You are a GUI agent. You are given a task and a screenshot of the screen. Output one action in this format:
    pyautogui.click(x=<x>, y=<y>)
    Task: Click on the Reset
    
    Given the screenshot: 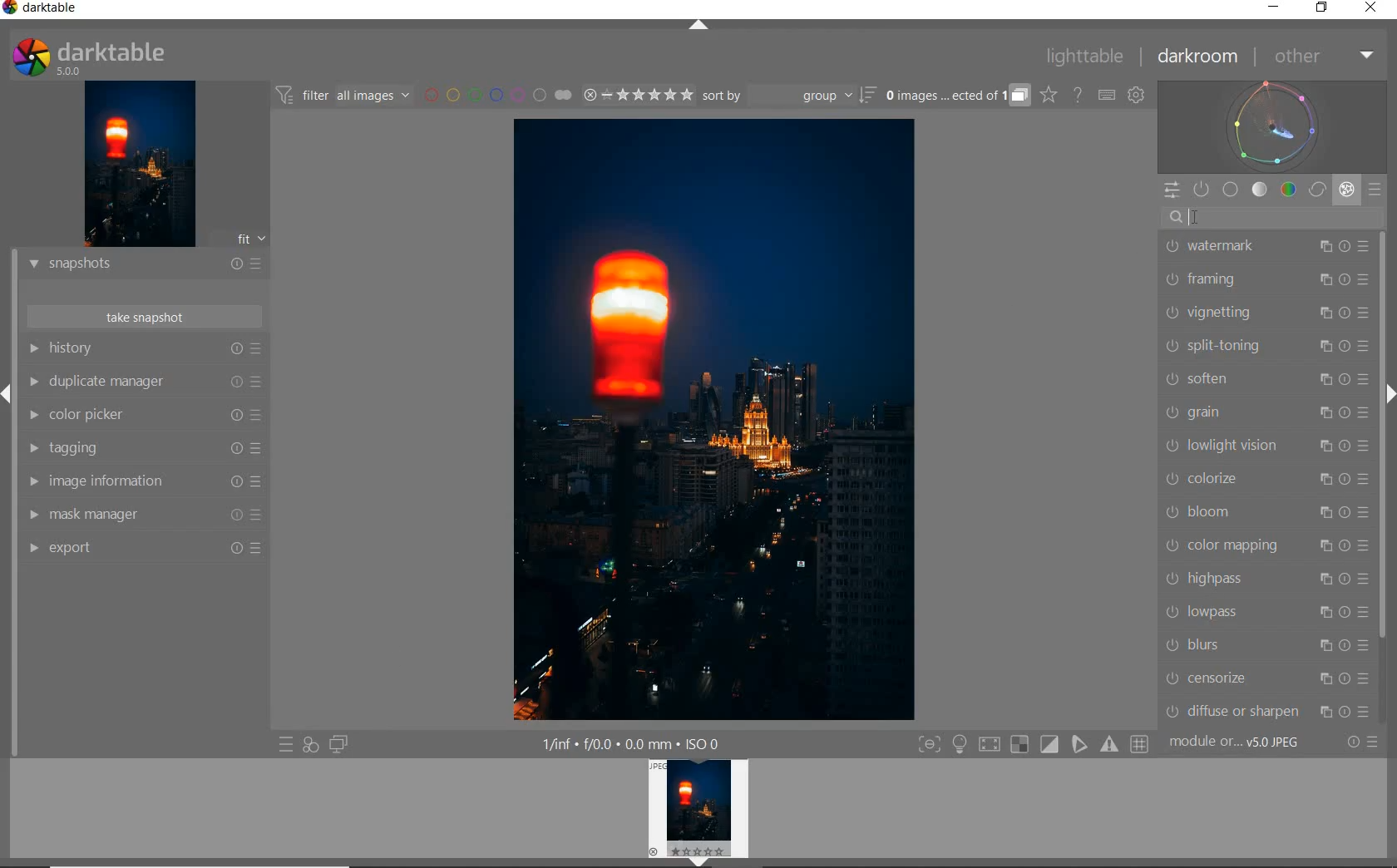 What is the action you would take?
    pyautogui.click(x=1345, y=647)
    